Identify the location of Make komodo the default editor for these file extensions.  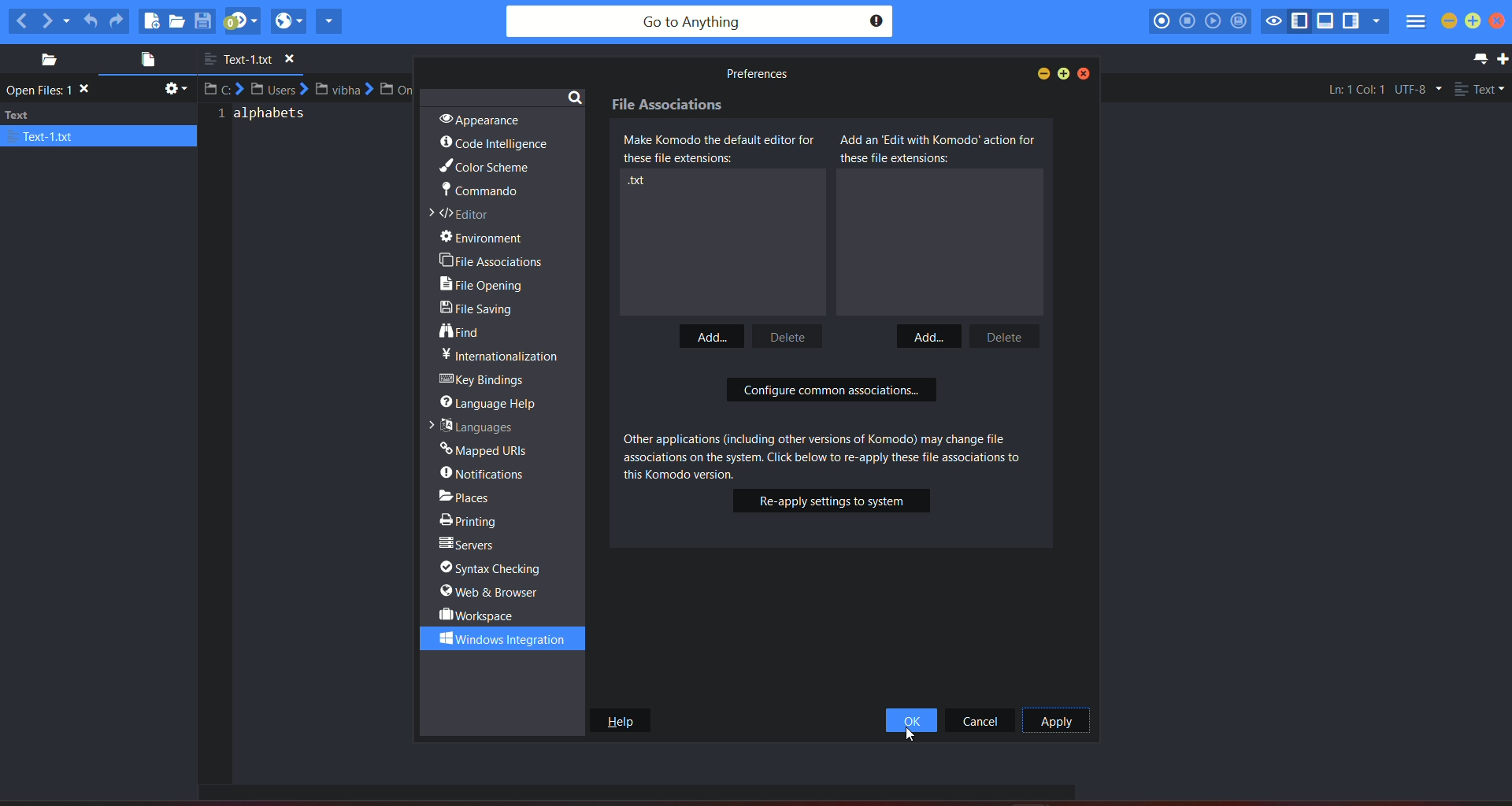
(724, 150).